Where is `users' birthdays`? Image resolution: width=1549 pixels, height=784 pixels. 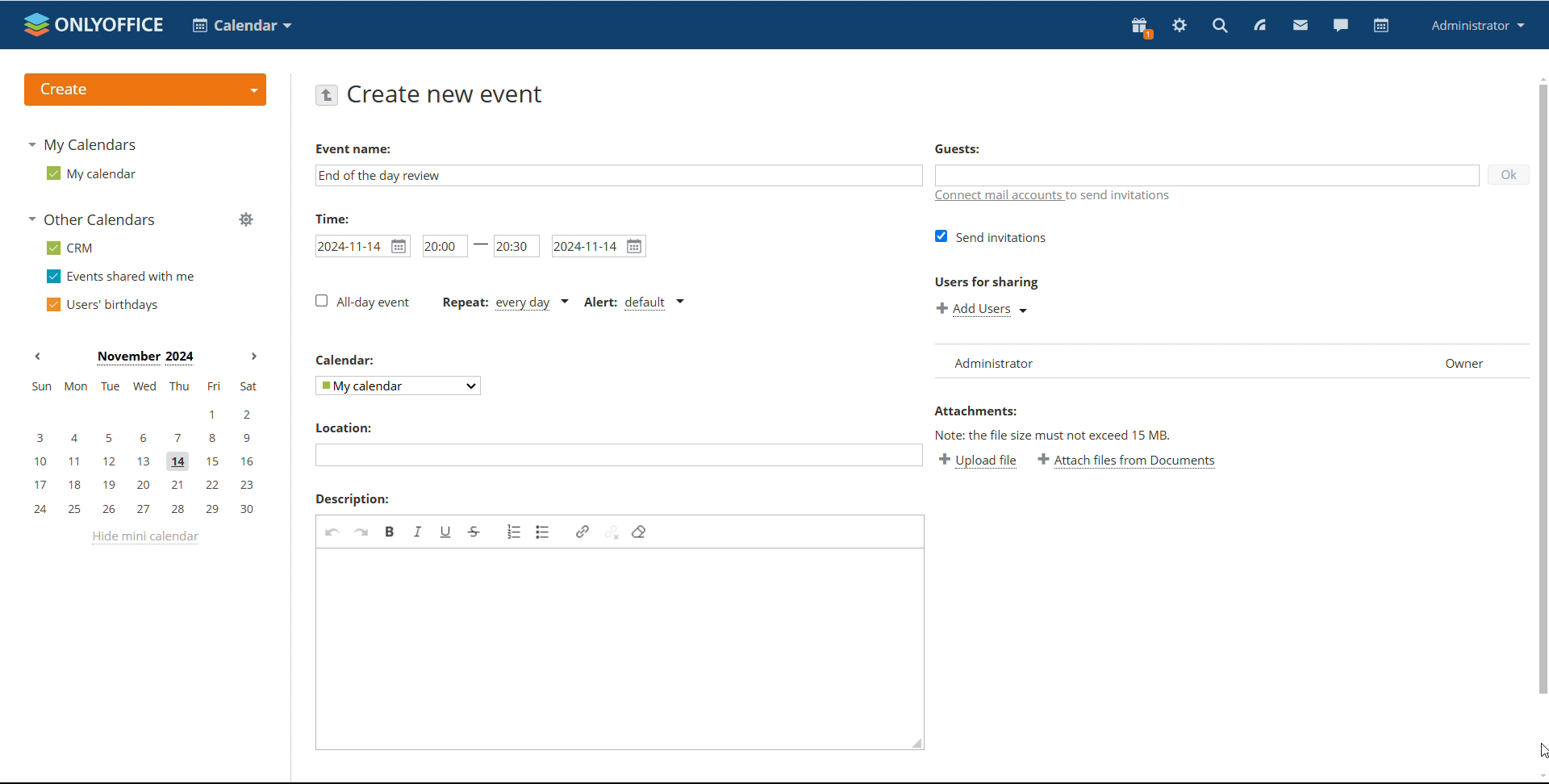
users' birthdays is located at coordinates (101, 305).